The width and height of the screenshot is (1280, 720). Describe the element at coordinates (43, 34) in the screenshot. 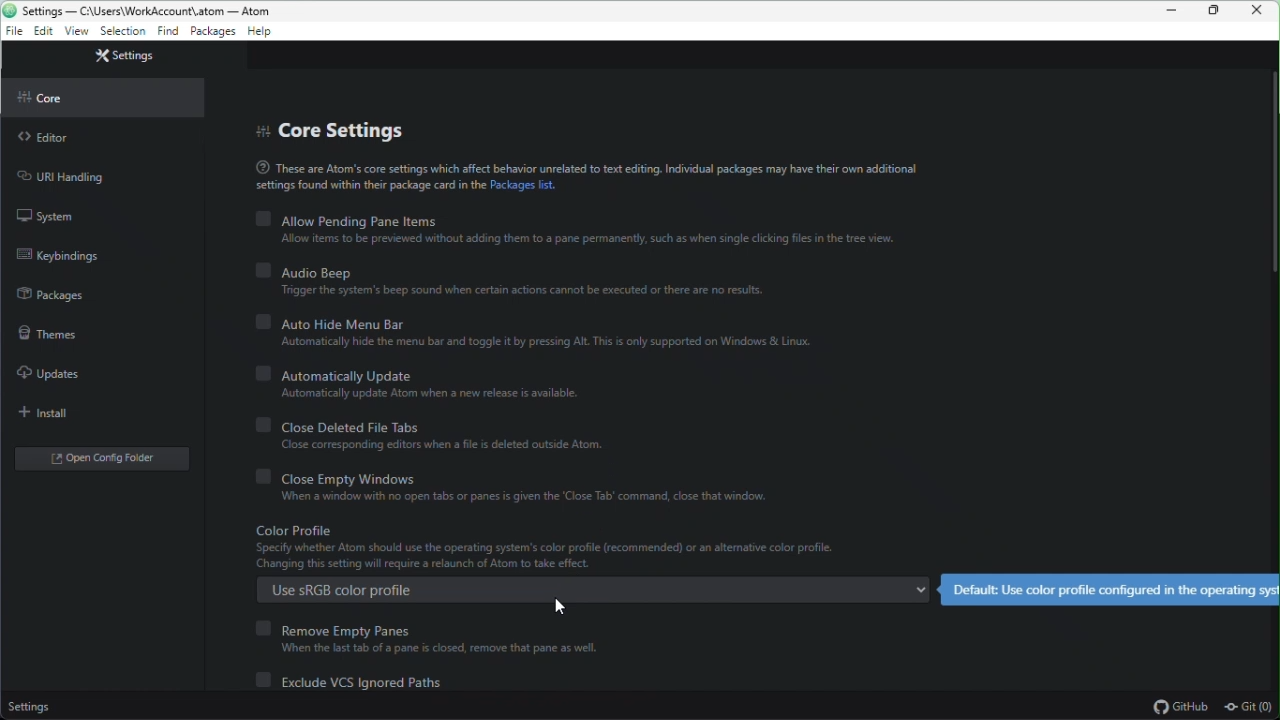

I see `edit` at that location.